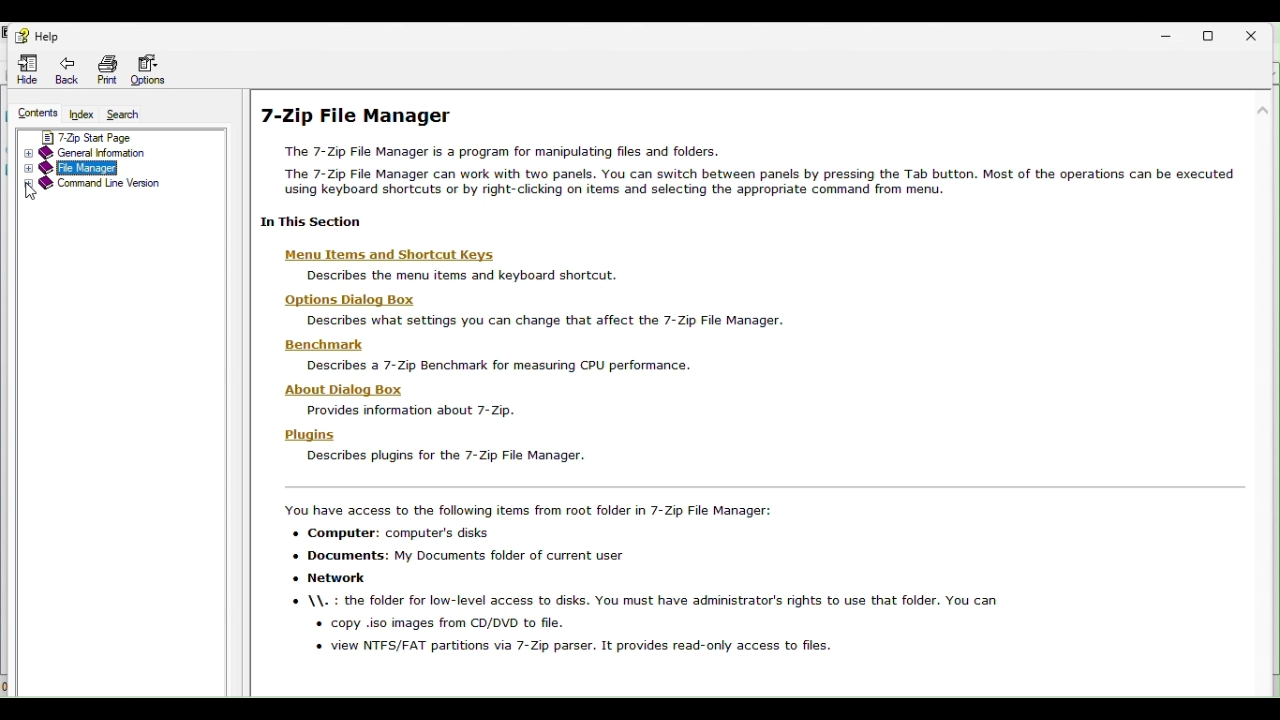  I want to click on Search, so click(136, 115).